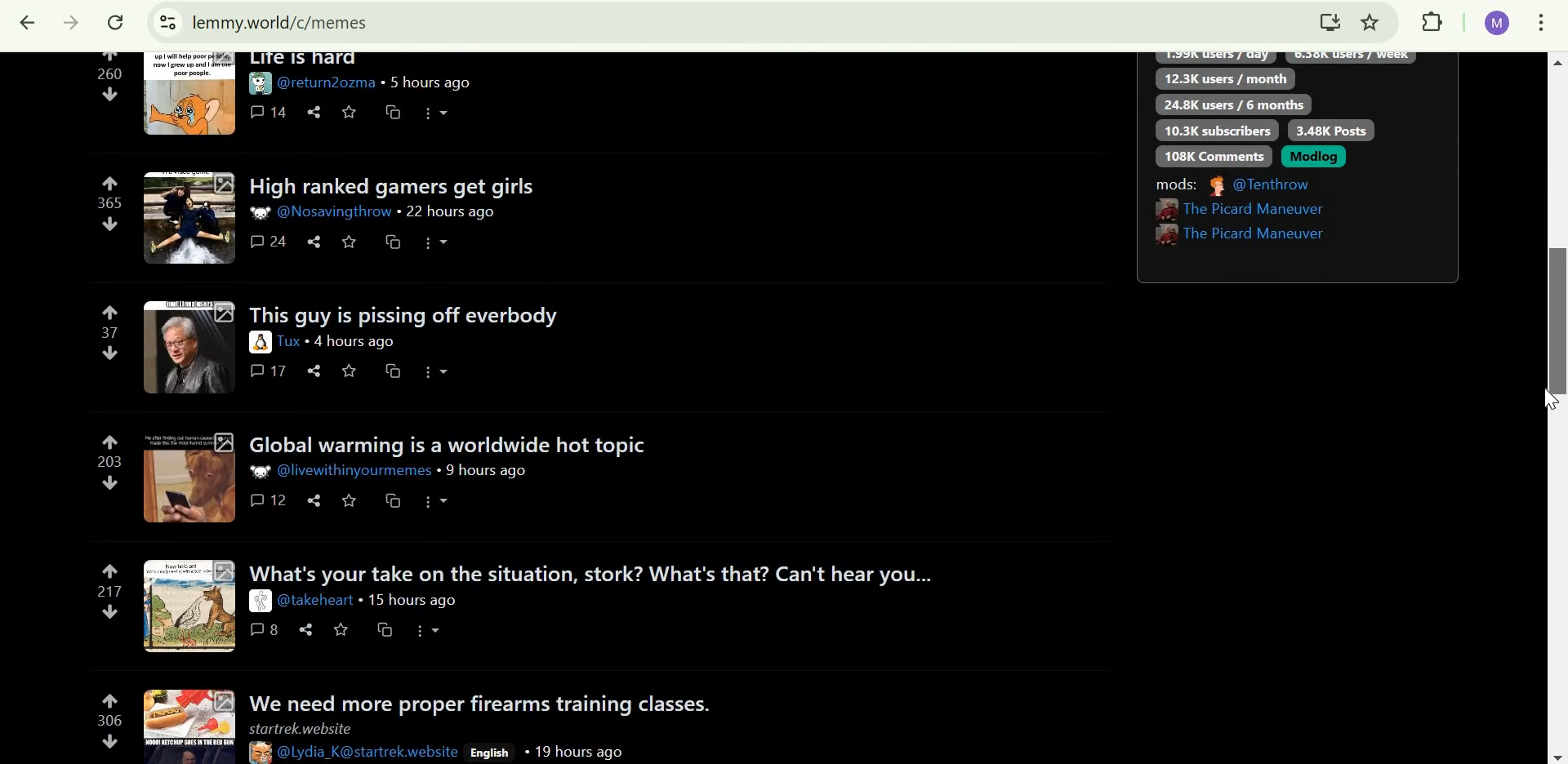 The width and height of the screenshot is (1568, 764). What do you see at coordinates (354, 471) in the screenshot?
I see `user id` at bounding box center [354, 471].